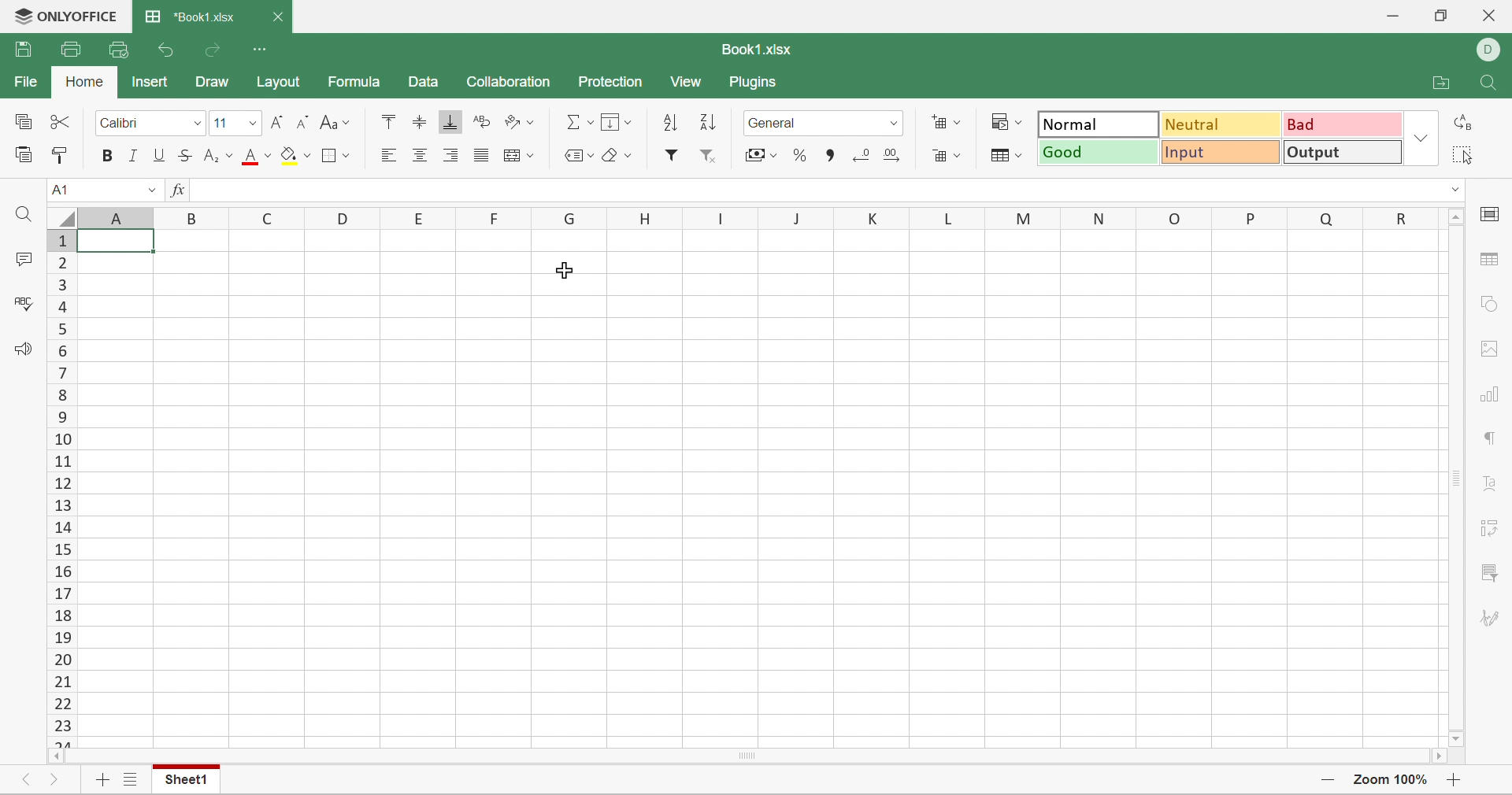 The height and width of the screenshot is (795, 1512). What do you see at coordinates (65, 551) in the screenshot?
I see `15` at bounding box center [65, 551].